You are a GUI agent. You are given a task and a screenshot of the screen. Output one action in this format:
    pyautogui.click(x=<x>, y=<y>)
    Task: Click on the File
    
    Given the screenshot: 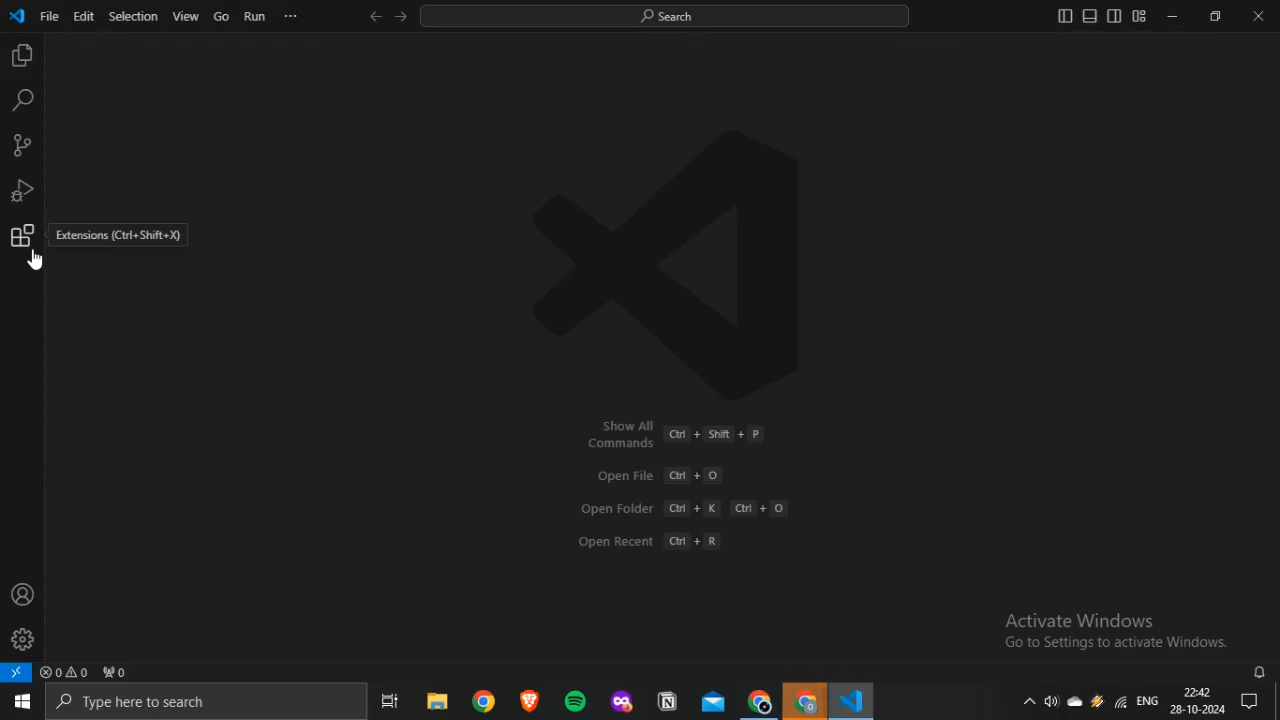 What is the action you would take?
    pyautogui.click(x=49, y=16)
    